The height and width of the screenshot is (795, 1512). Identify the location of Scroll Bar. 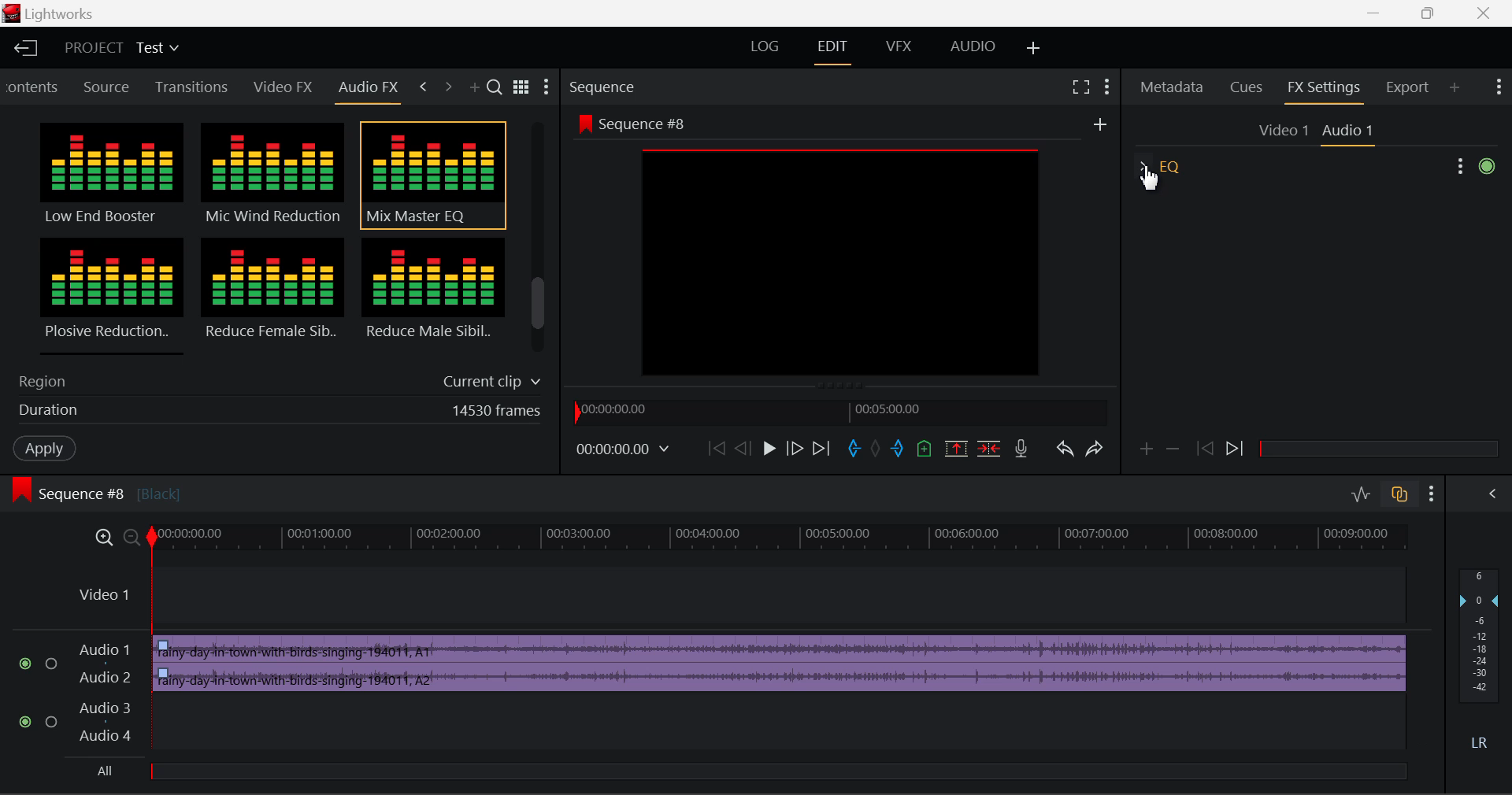
(539, 241).